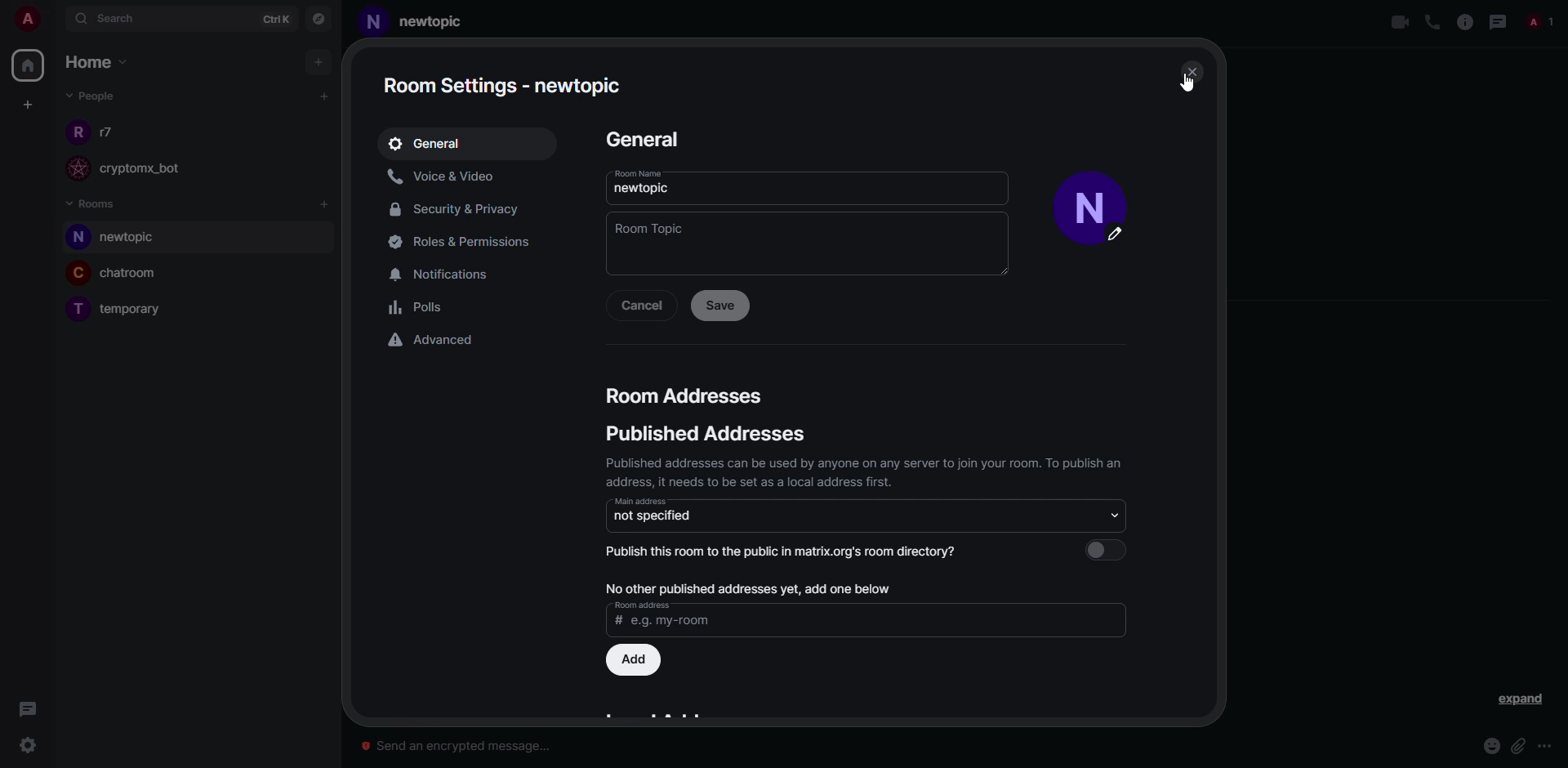 This screenshot has height=768, width=1568. Describe the element at coordinates (110, 132) in the screenshot. I see `people` at that location.